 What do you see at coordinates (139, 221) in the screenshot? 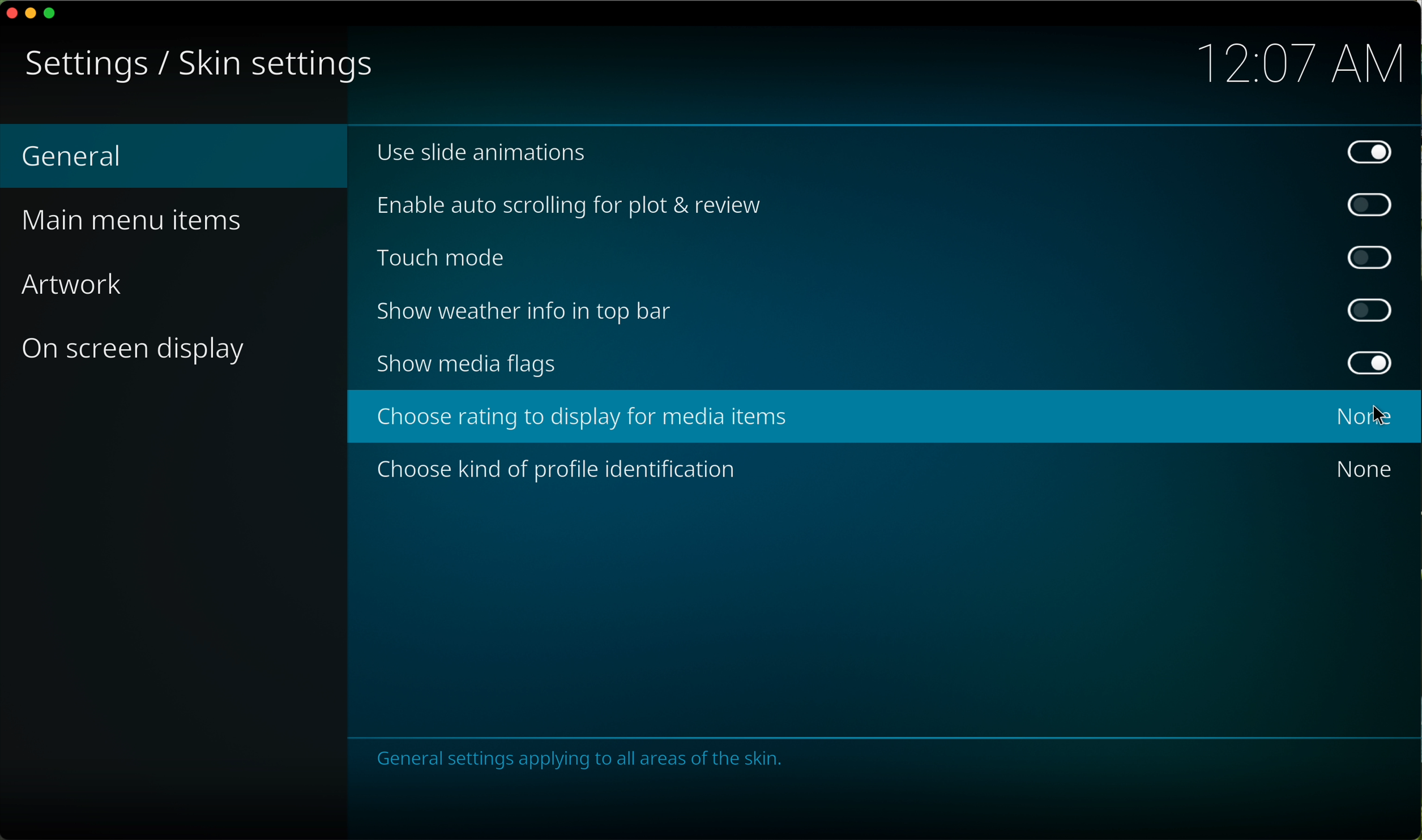
I see `main menu items` at bounding box center [139, 221].